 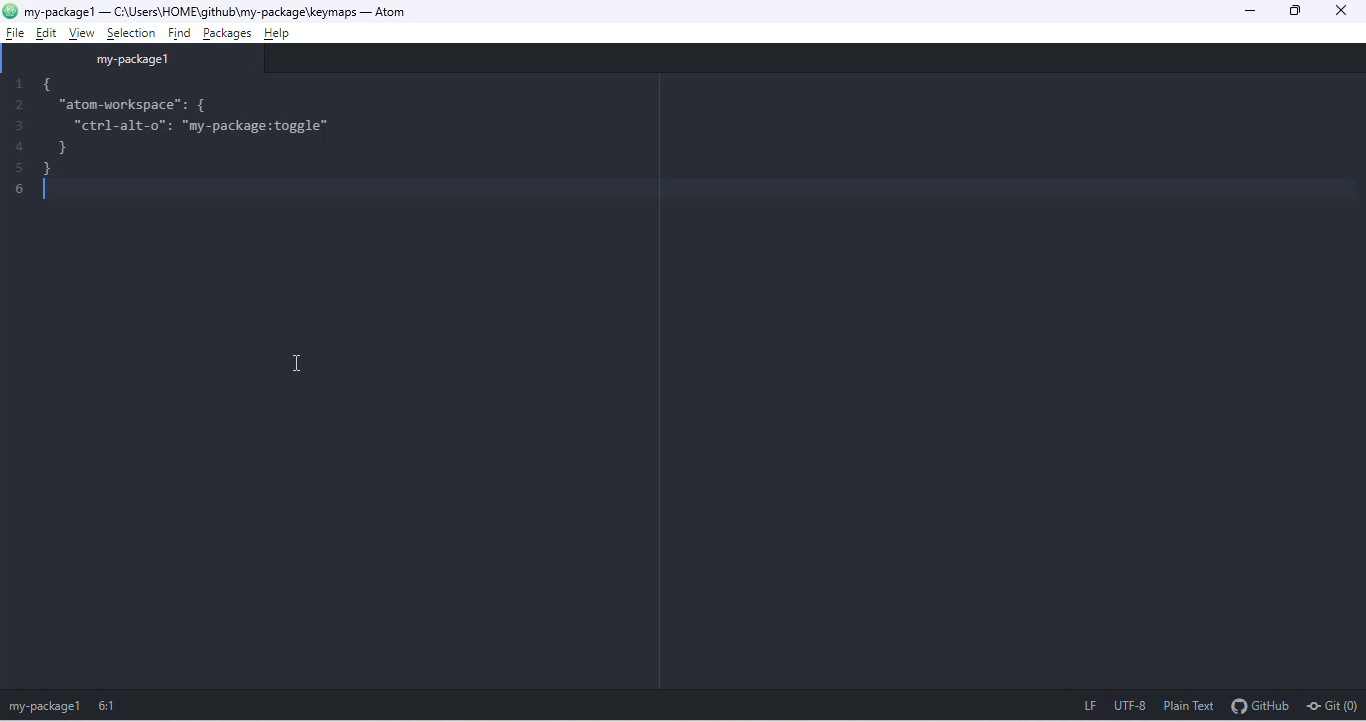 I want to click on plain text, so click(x=1191, y=707).